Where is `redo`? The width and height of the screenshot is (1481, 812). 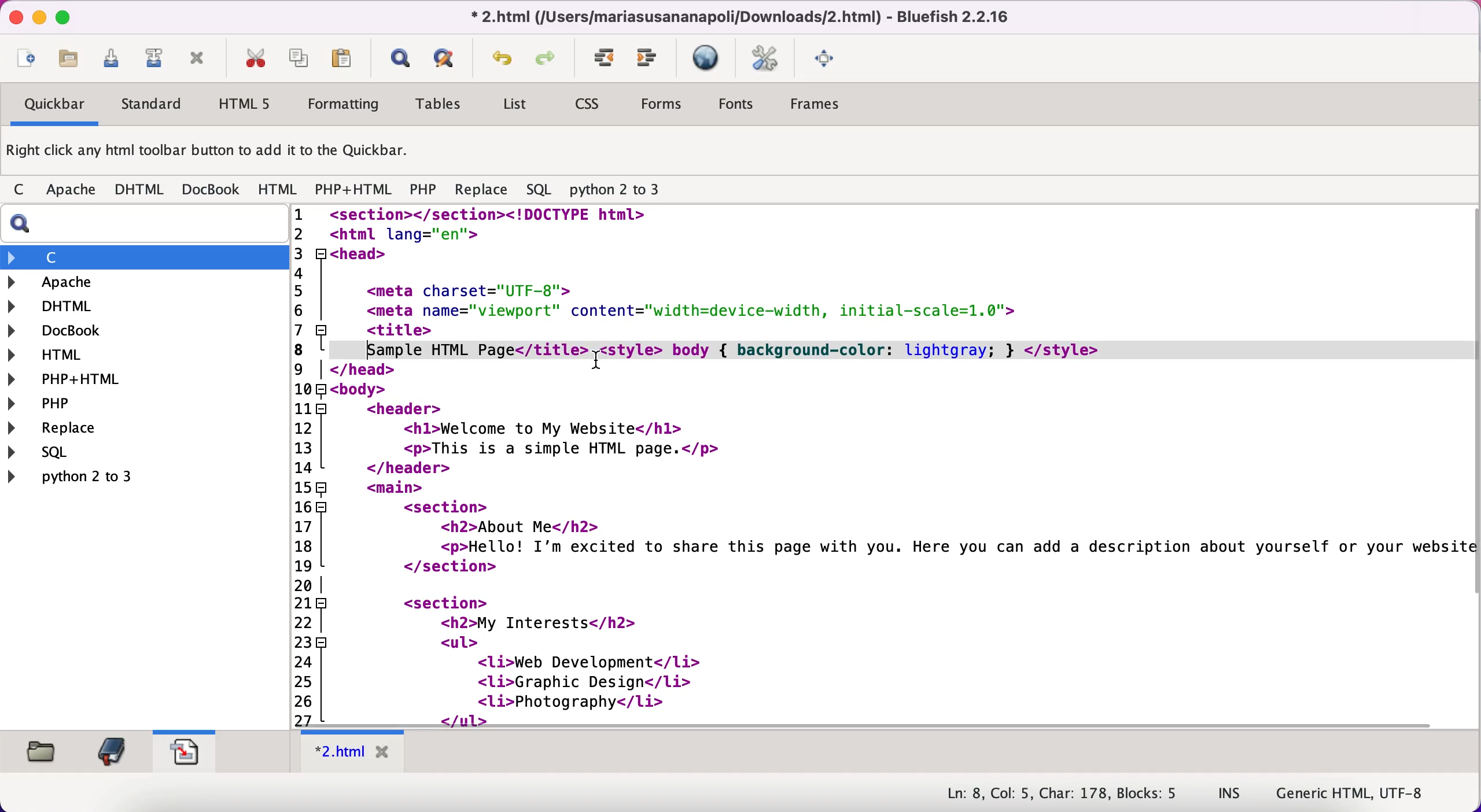 redo is located at coordinates (549, 60).